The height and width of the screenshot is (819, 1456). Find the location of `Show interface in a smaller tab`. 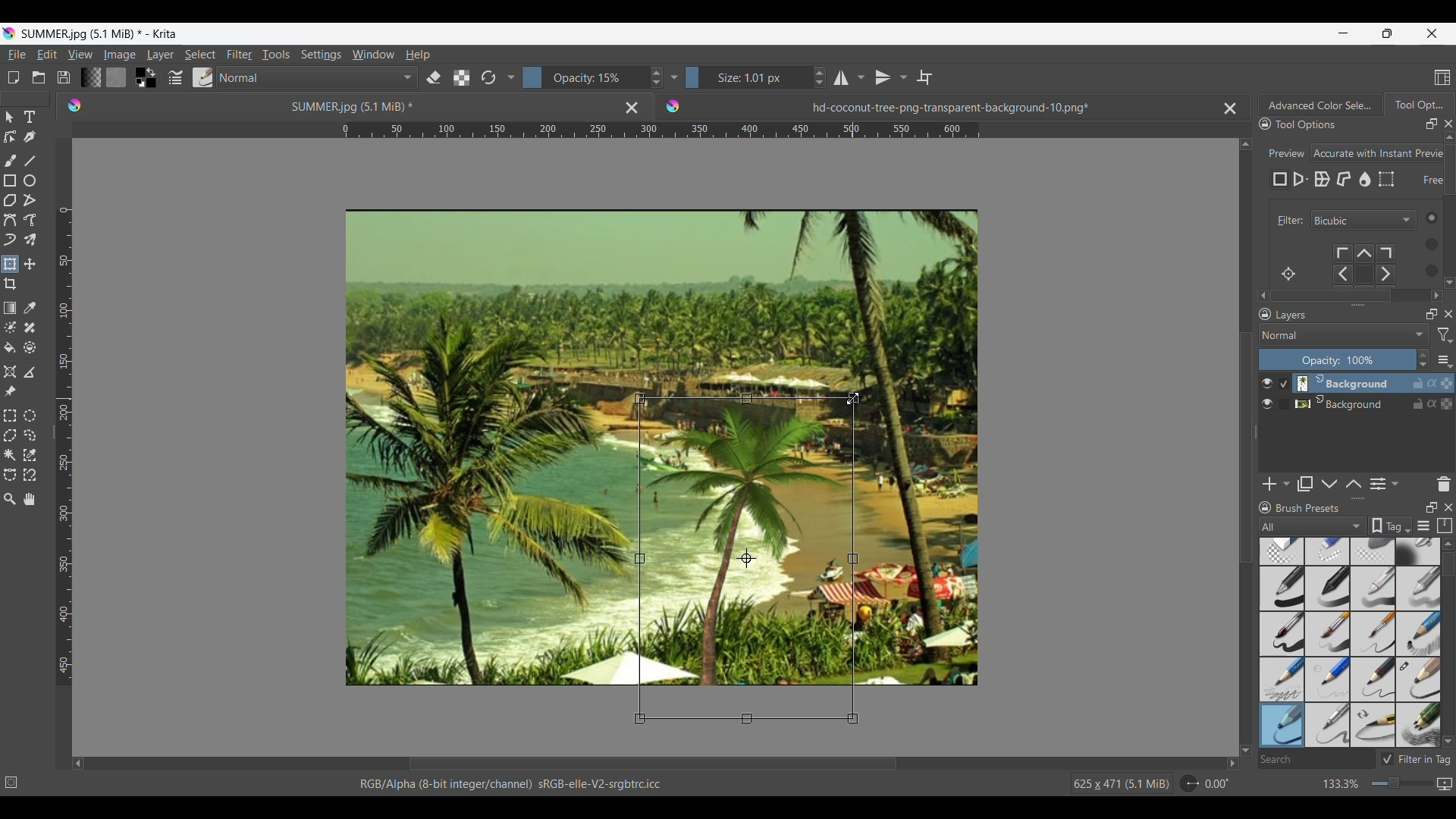

Show interface in a smaller tab is located at coordinates (1387, 33).